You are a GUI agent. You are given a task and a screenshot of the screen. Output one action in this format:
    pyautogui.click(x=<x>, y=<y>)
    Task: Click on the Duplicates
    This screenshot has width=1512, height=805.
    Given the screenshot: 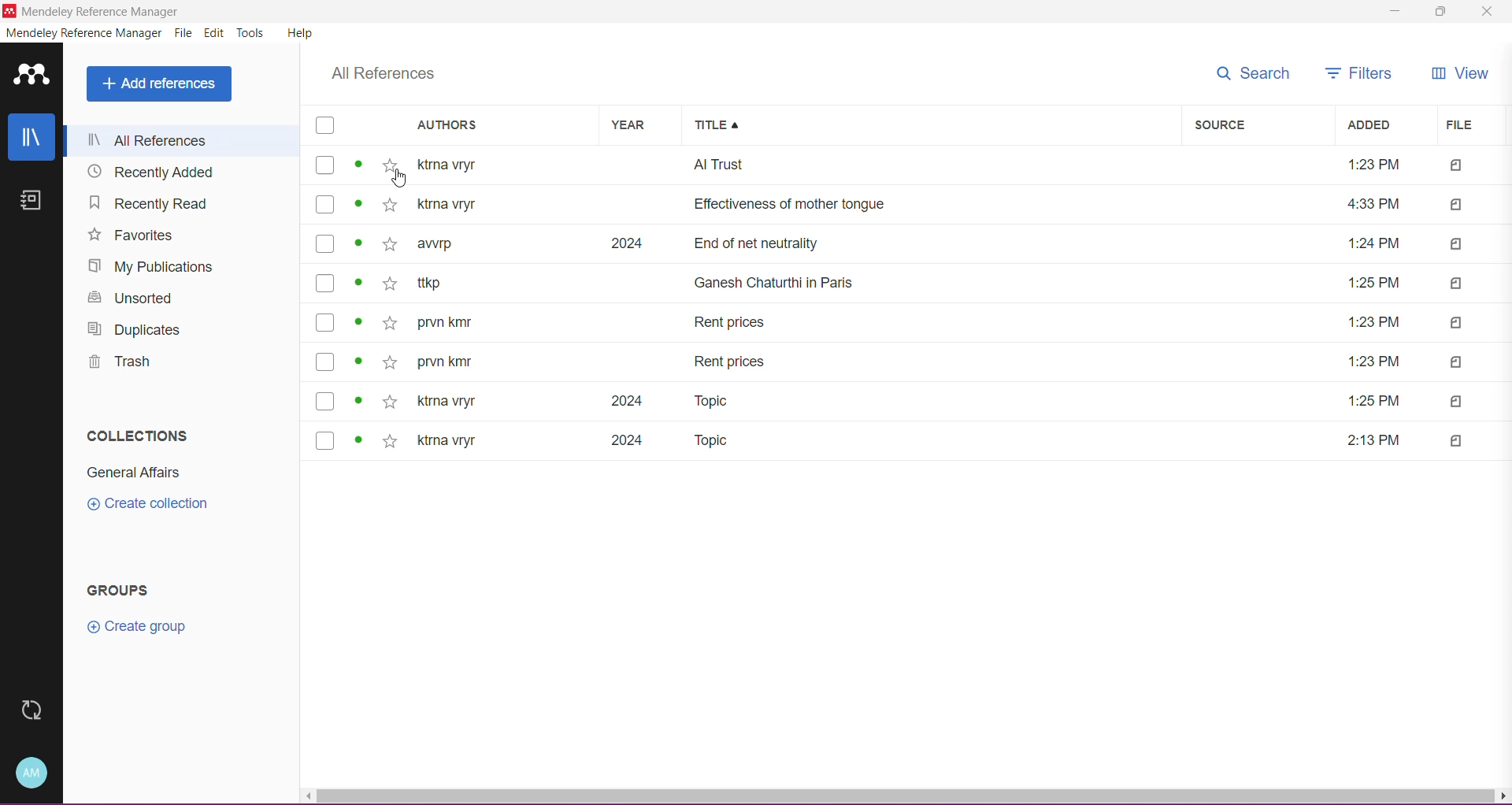 What is the action you would take?
    pyautogui.click(x=132, y=332)
    